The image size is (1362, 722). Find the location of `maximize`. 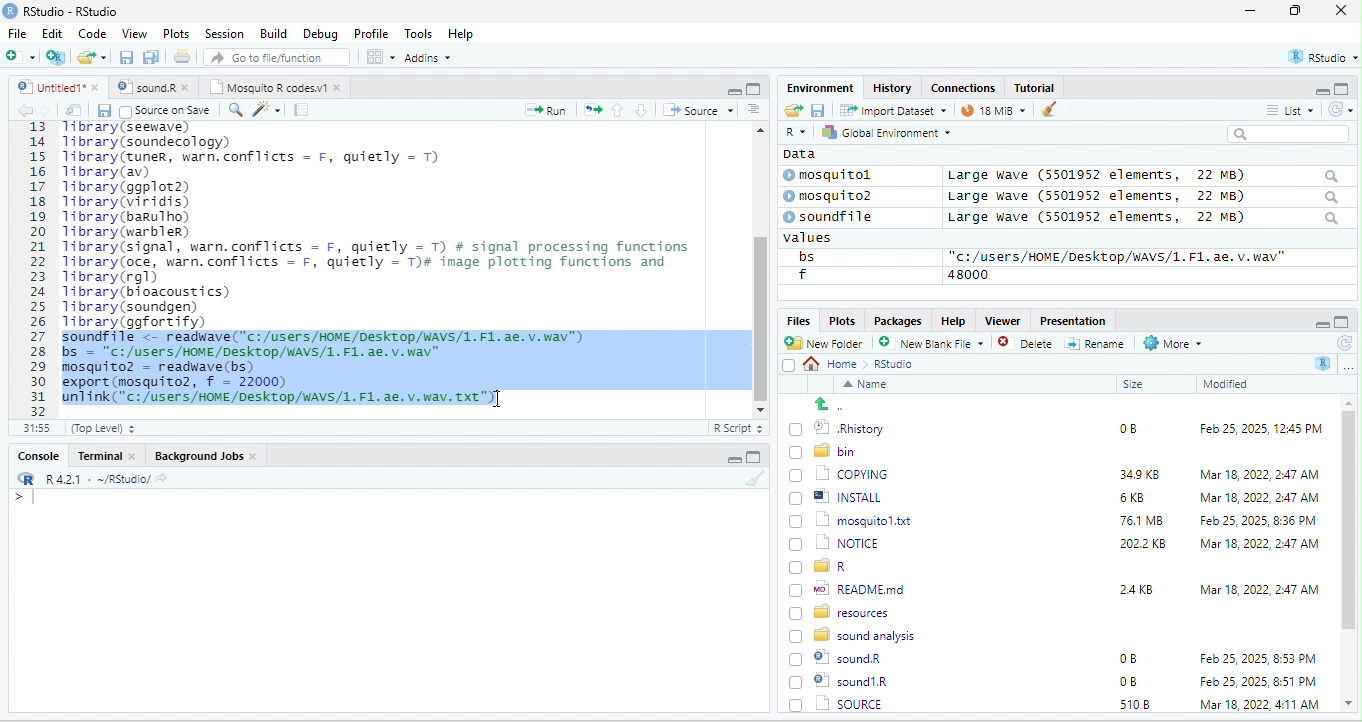

maximize is located at coordinates (1342, 322).